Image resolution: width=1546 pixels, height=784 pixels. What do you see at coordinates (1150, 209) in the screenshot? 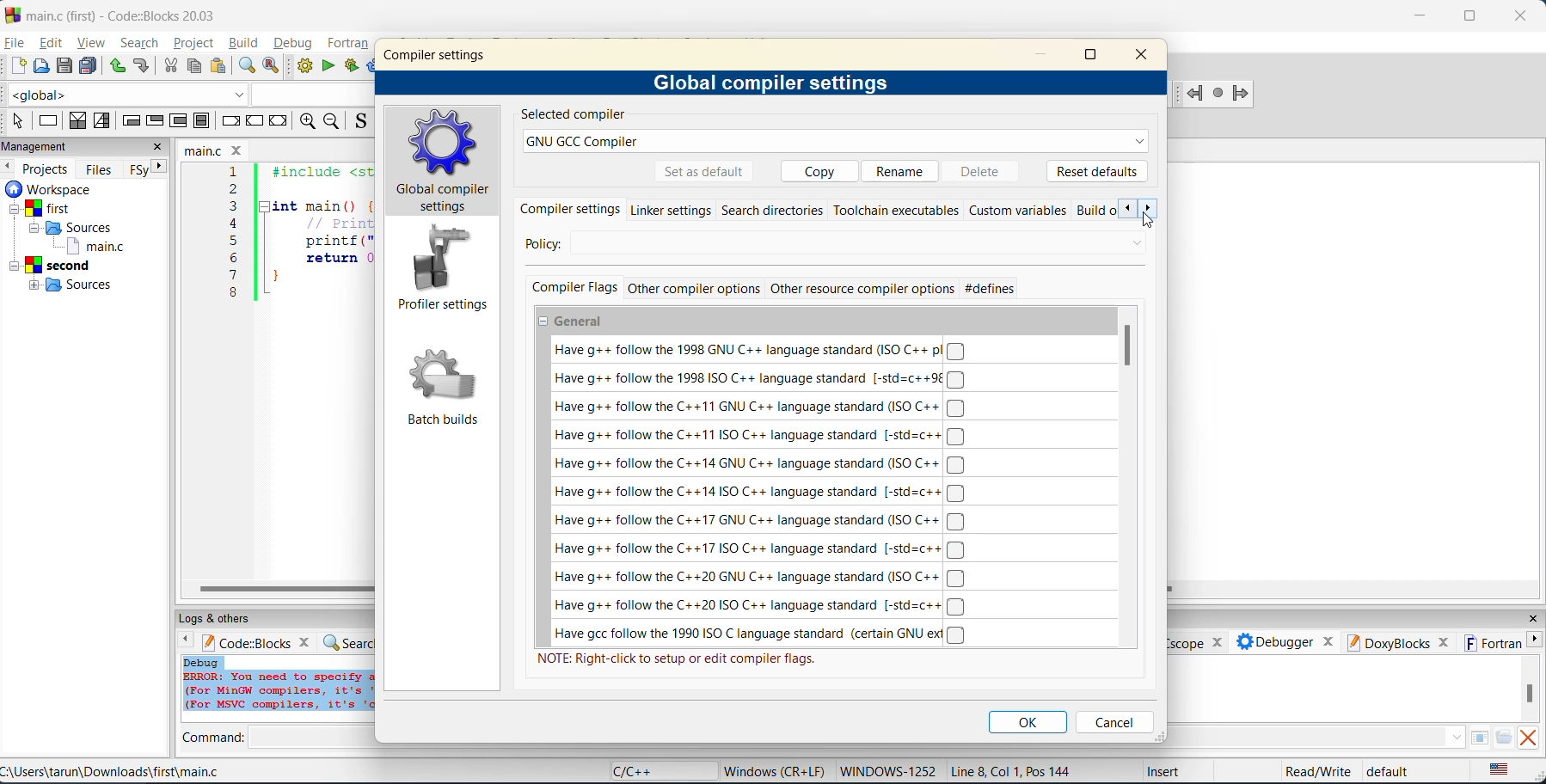
I see `next` at bounding box center [1150, 209].